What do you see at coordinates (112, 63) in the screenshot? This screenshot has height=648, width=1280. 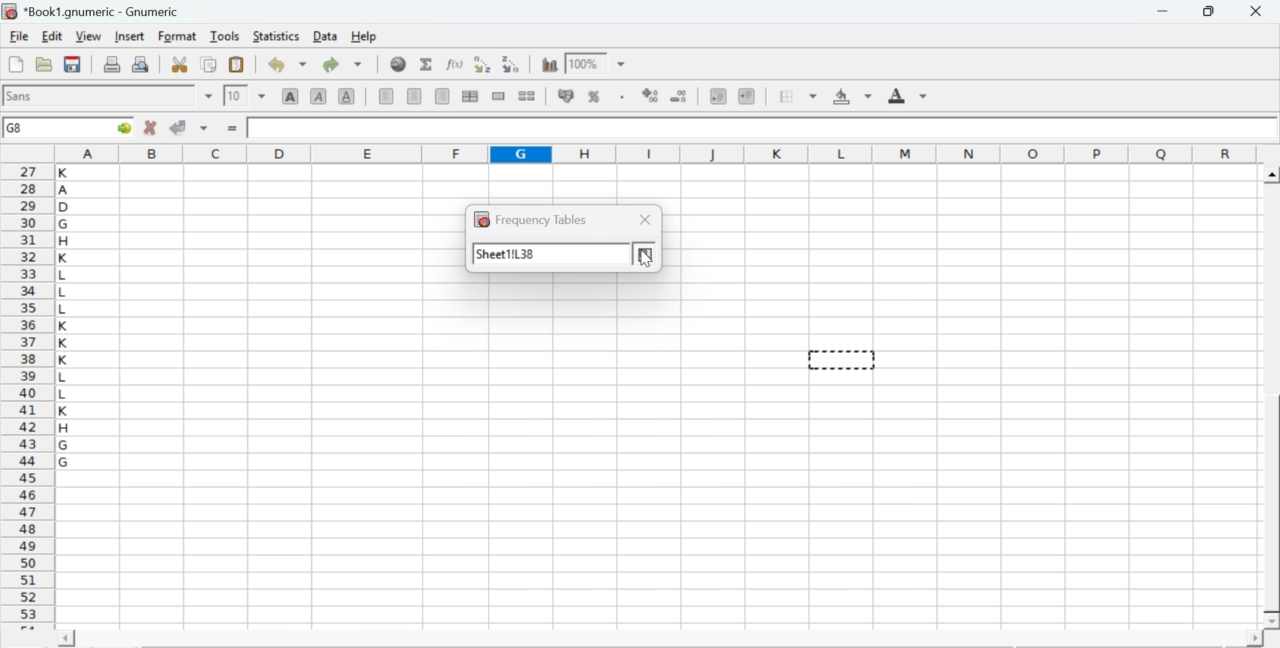 I see `print` at bounding box center [112, 63].